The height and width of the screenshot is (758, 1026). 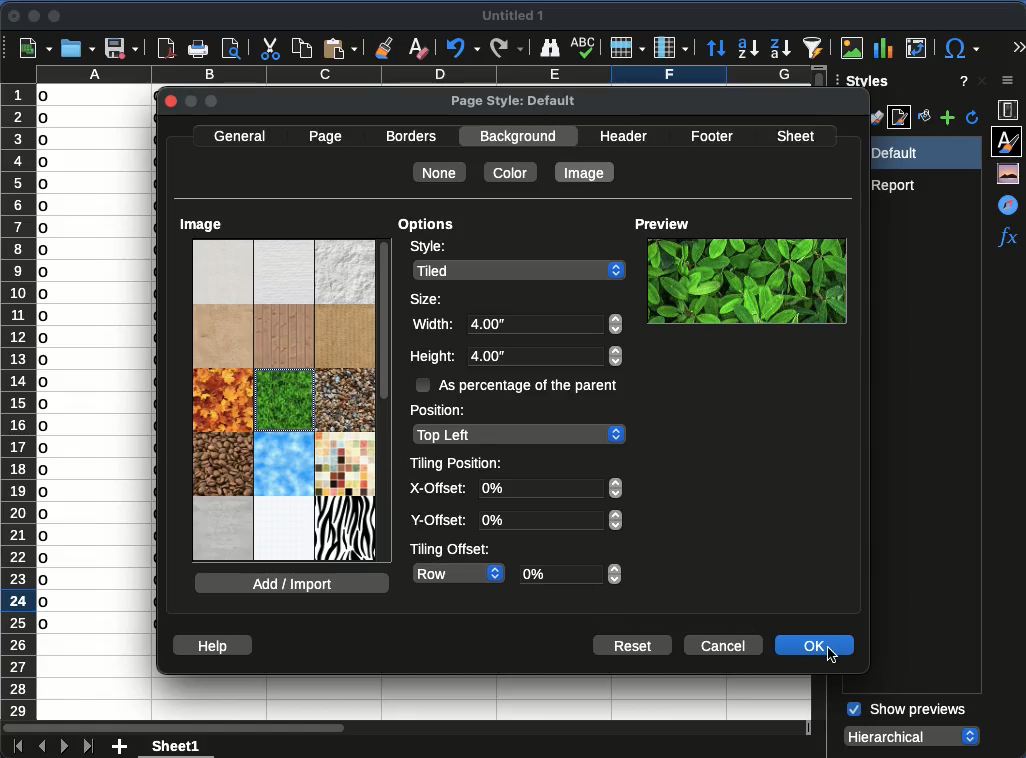 What do you see at coordinates (1020, 496) in the screenshot?
I see `scroll` at bounding box center [1020, 496].